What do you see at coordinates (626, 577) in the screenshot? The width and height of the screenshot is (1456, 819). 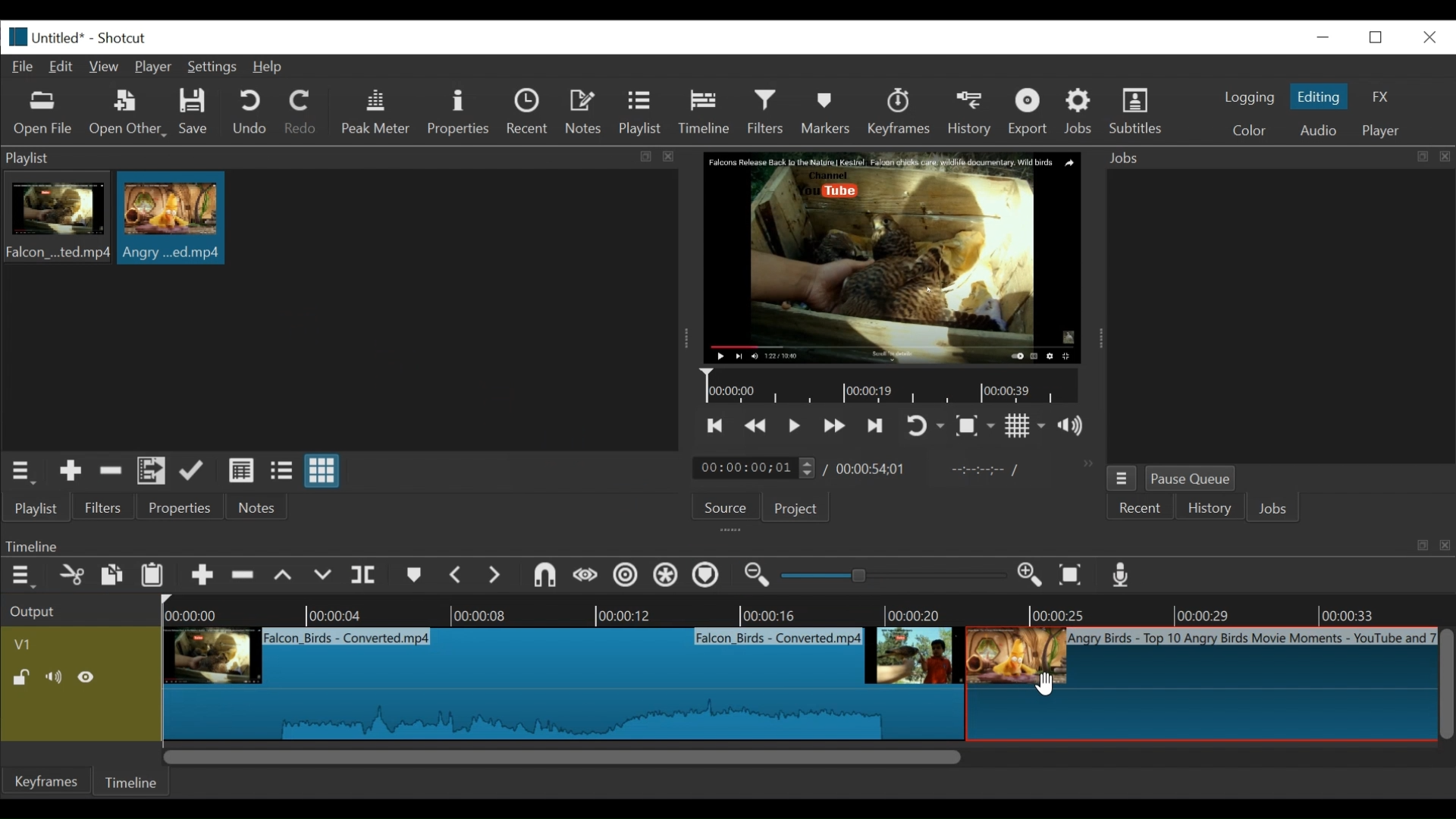 I see `Ripple ` at bounding box center [626, 577].